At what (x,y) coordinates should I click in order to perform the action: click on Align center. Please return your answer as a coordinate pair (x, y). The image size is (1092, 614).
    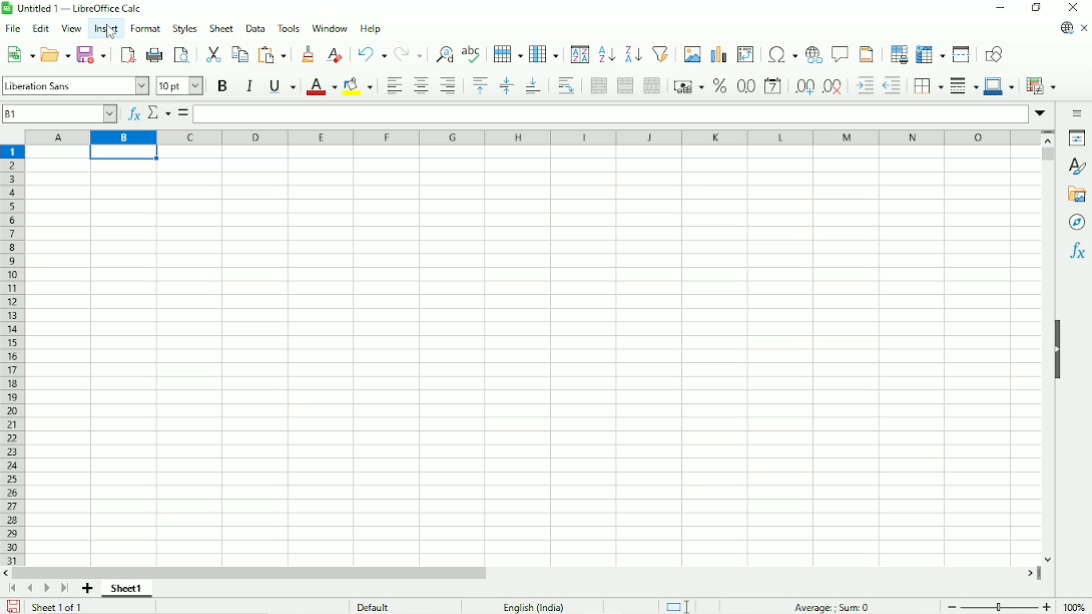
    Looking at the image, I should click on (420, 85).